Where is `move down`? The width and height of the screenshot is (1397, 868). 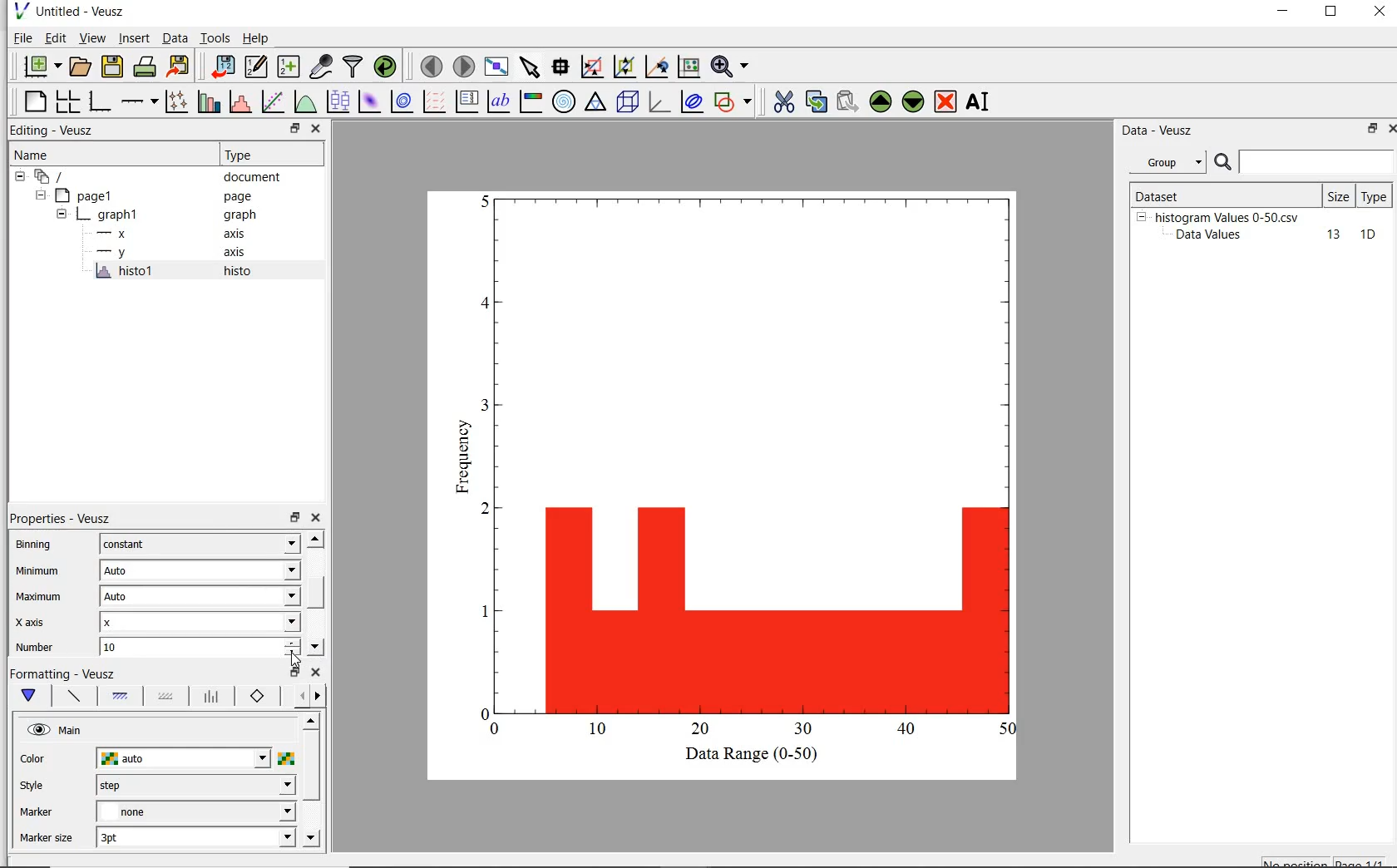
move down is located at coordinates (315, 647).